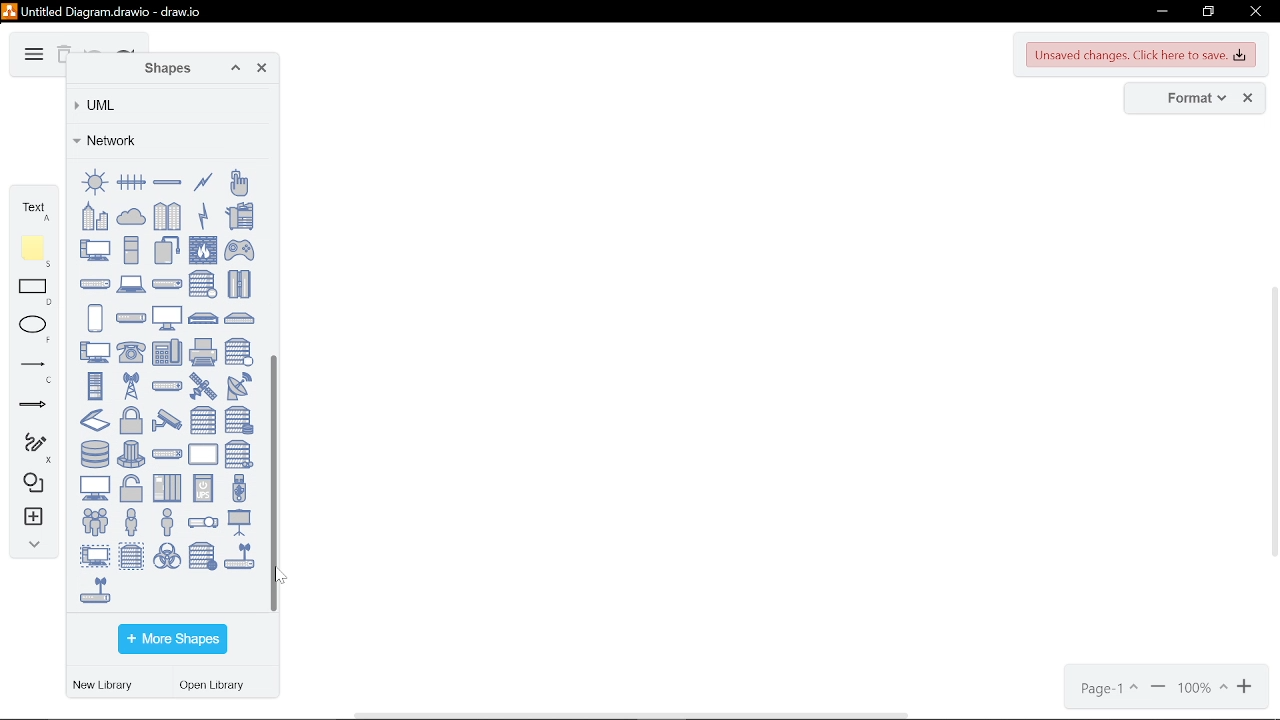  What do you see at coordinates (168, 216) in the screenshot?
I see `community` at bounding box center [168, 216].